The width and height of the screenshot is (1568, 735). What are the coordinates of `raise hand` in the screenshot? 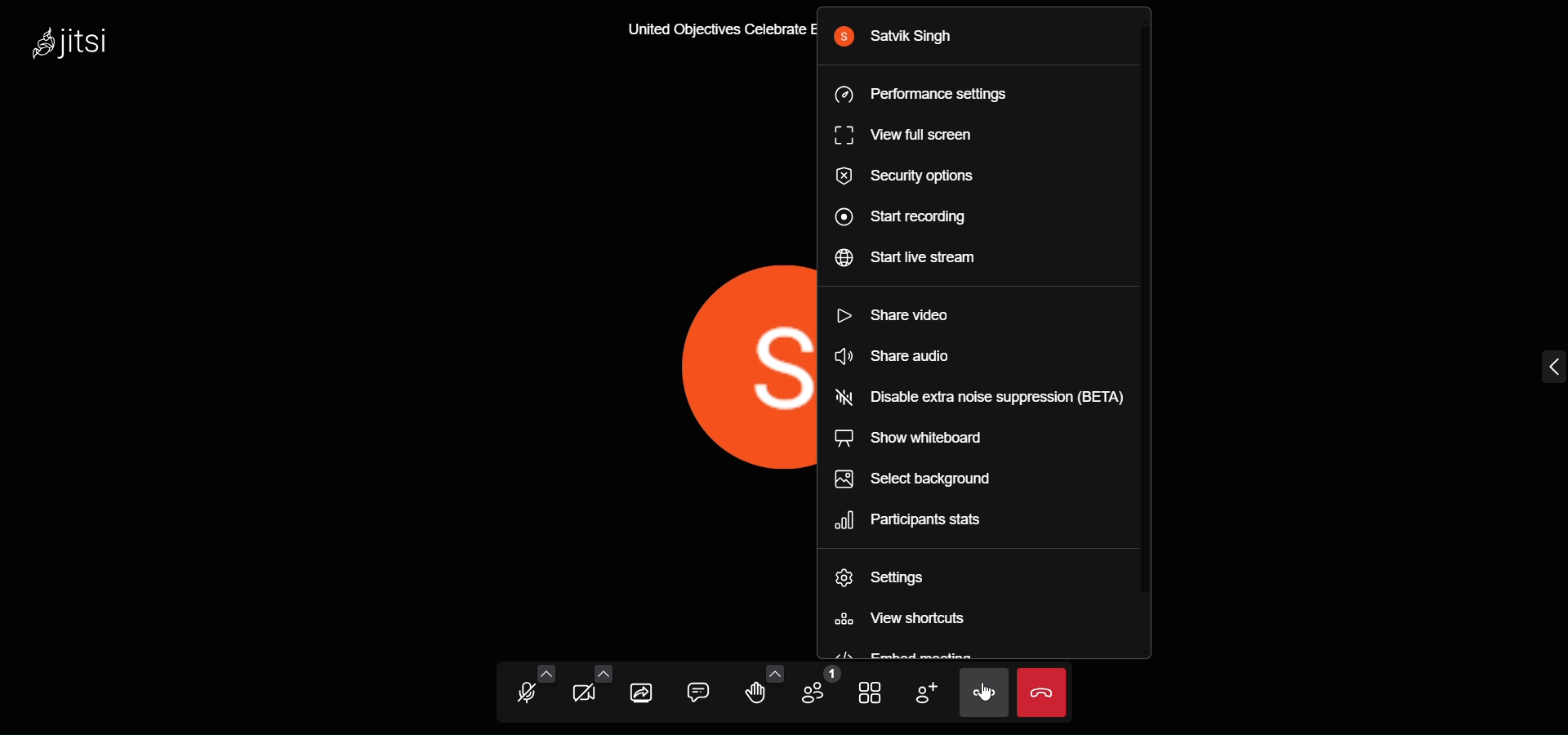 It's located at (759, 696).